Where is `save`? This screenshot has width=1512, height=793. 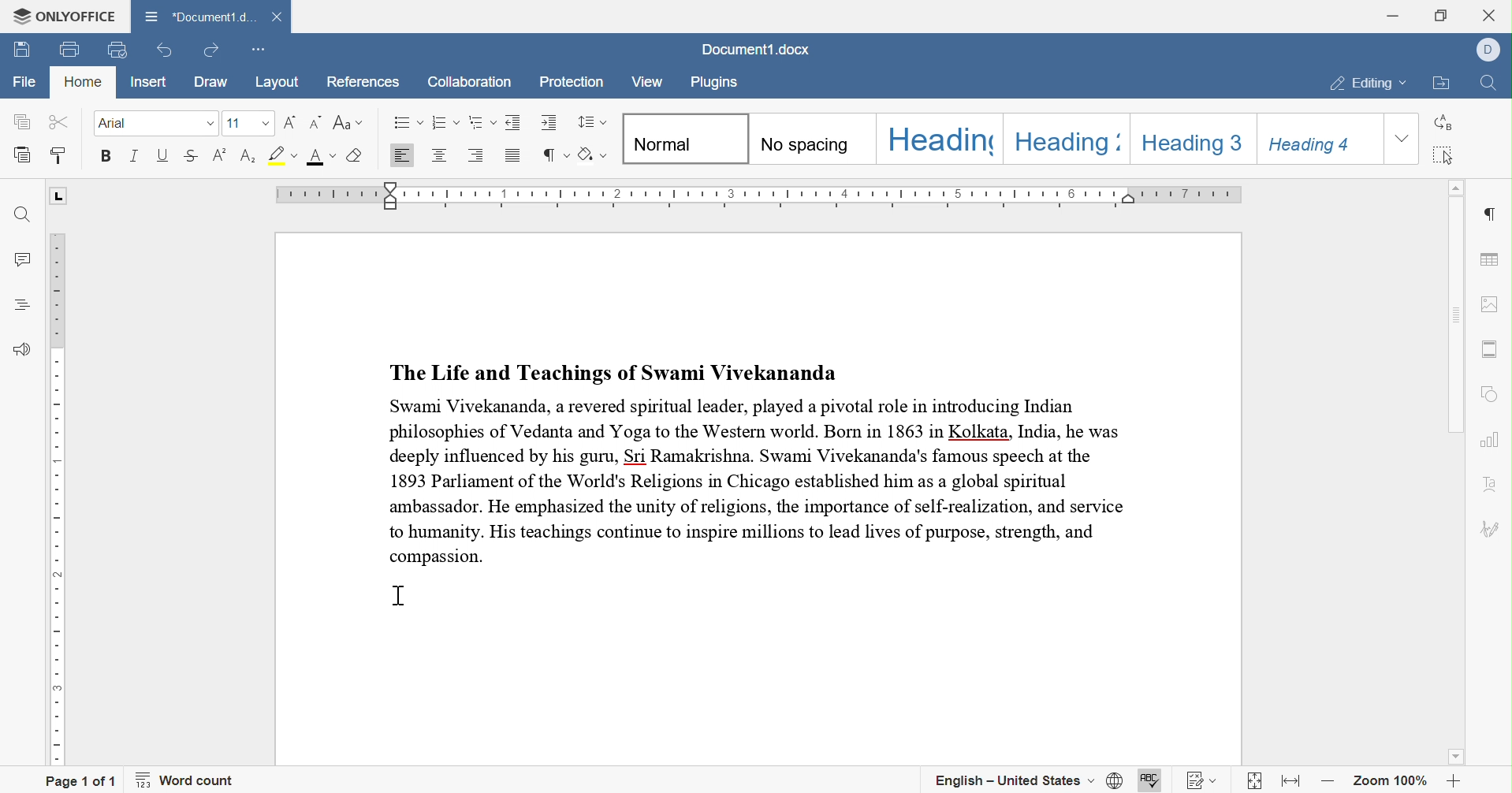
save is located at coordinates (22, 51).